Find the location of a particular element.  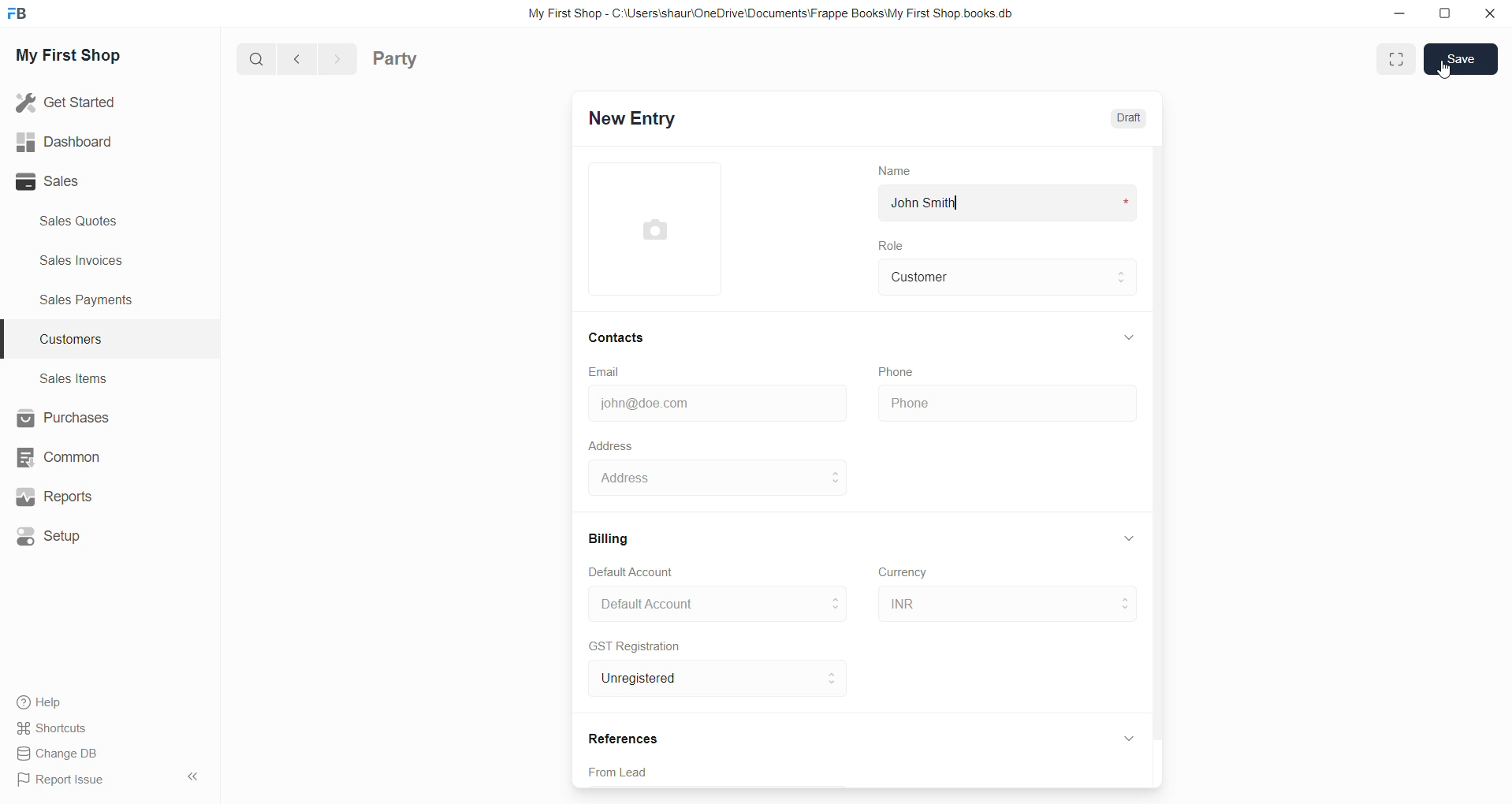

save is located at coordinates (1461, 60).